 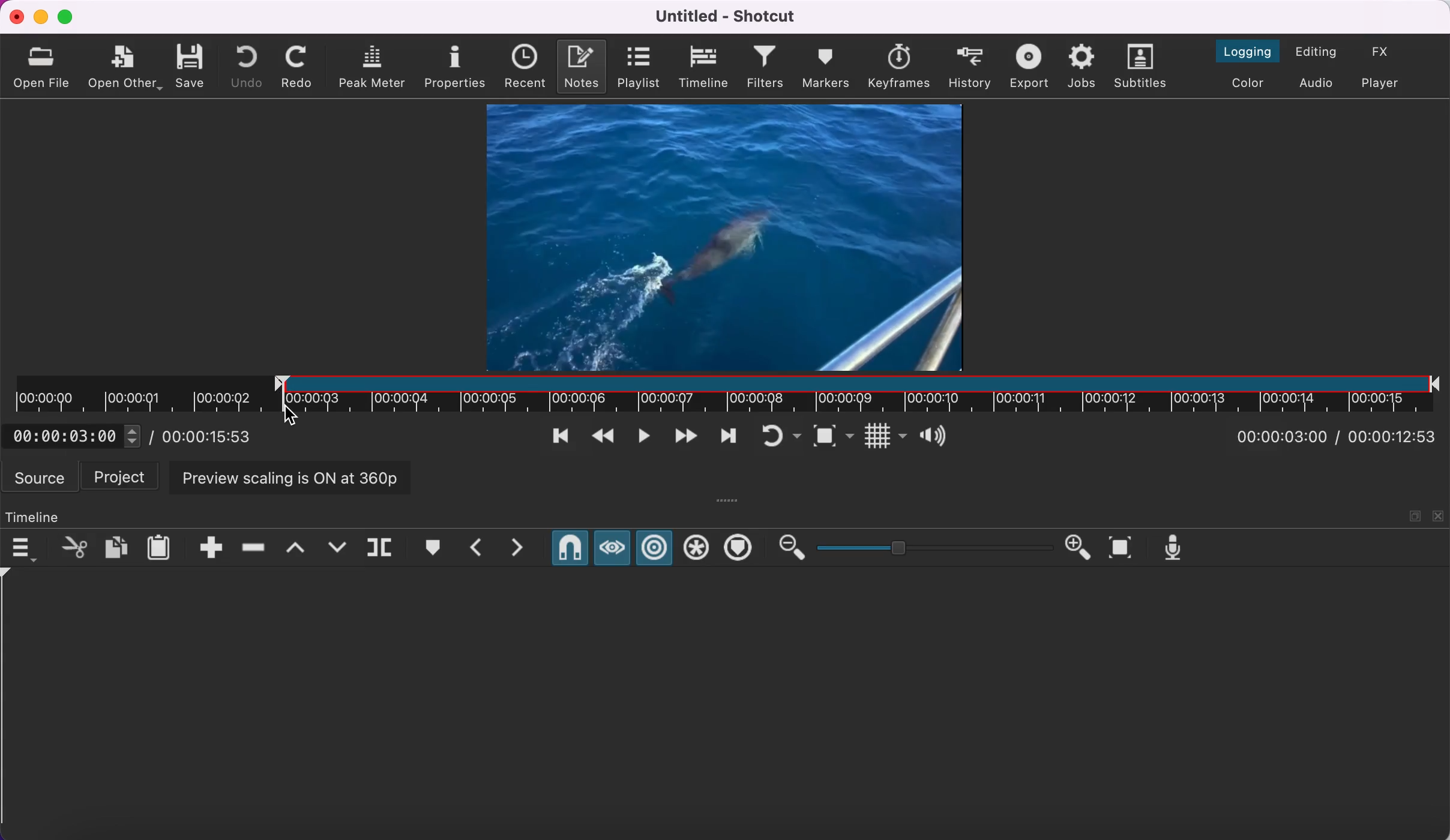 What do you see at coordinates (126, 68) in the screenshot?
I see `open other` at bounding box center [126, 68].